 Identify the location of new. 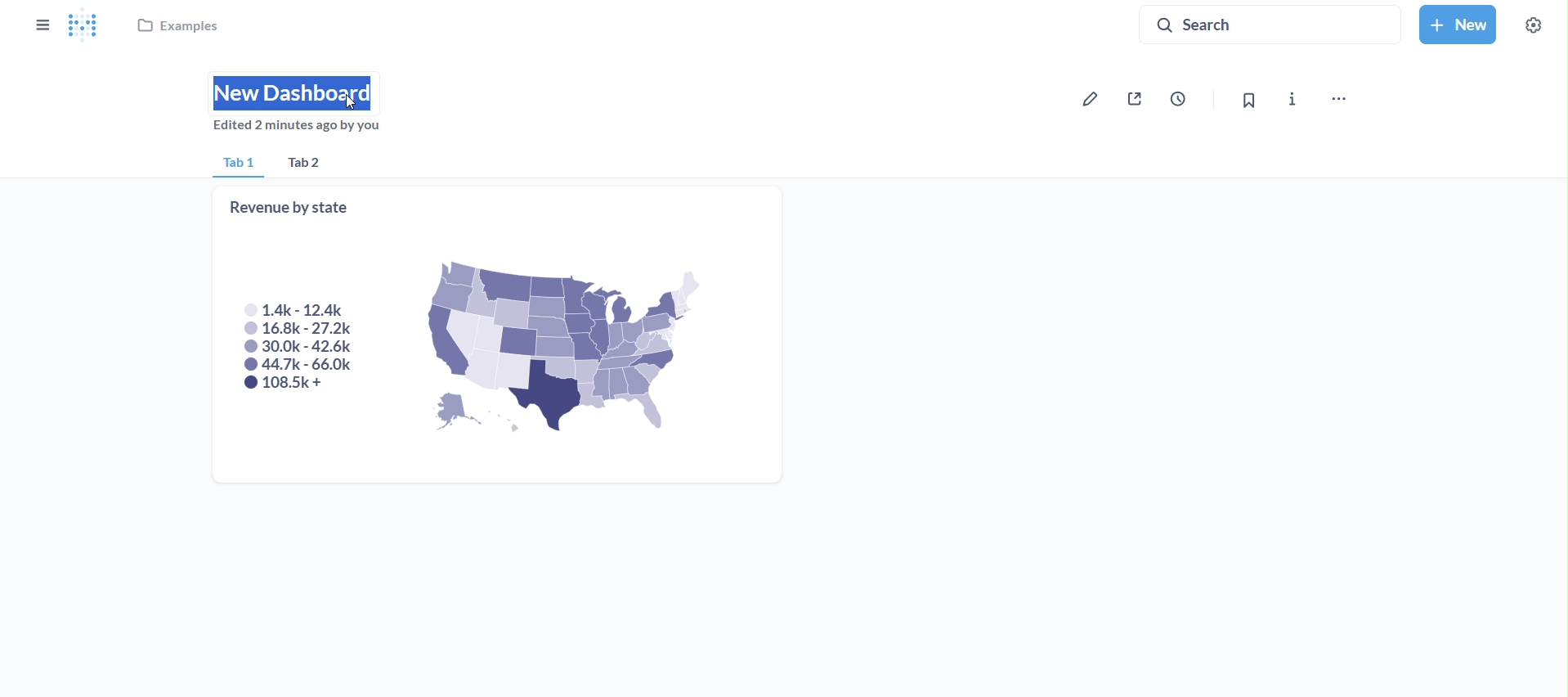
(1456, 22).